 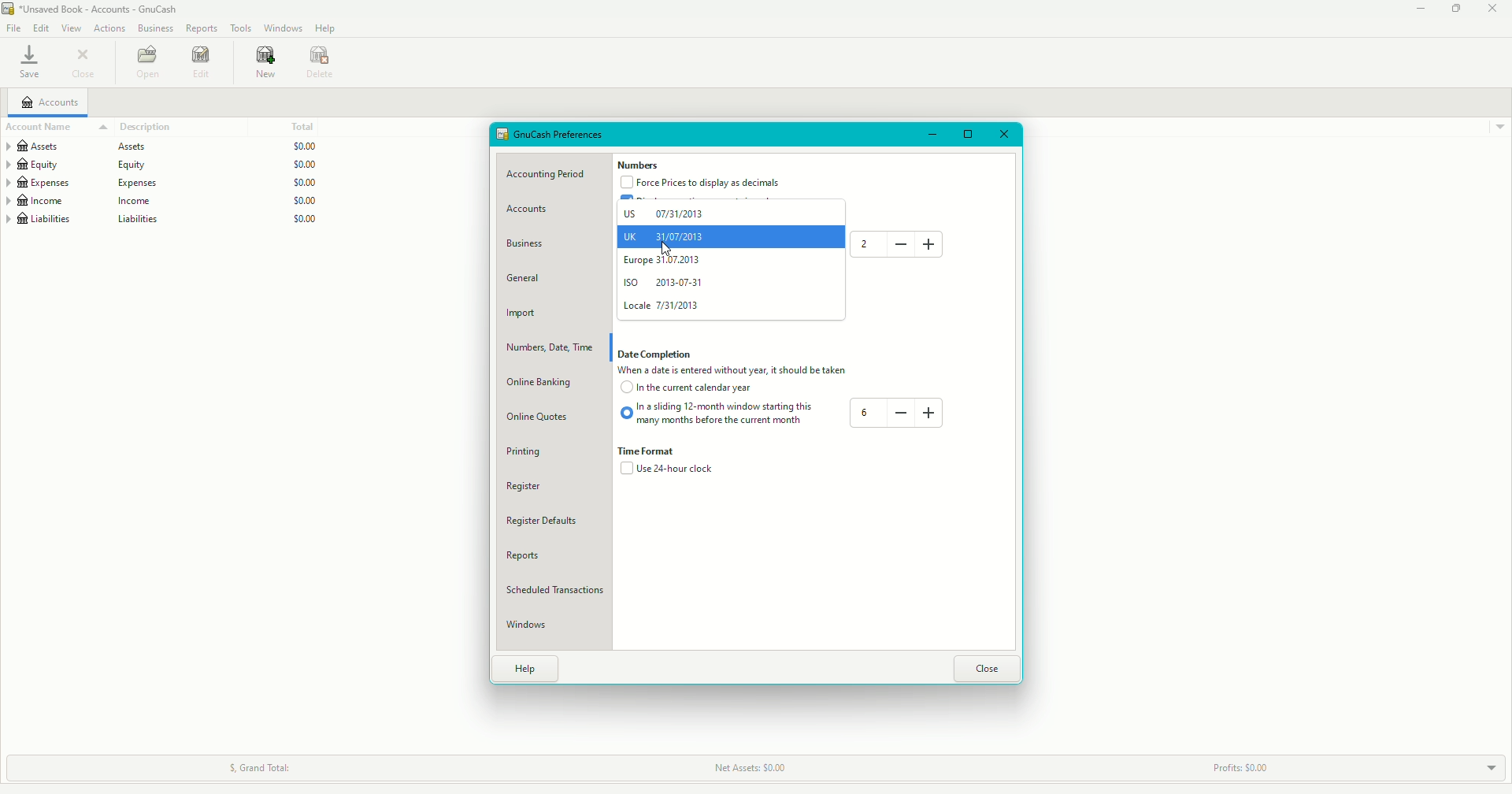 What do you see at coordinates (265, 765) in the screenshot?
I see `Grand Total` at bounding box center [265, 765].